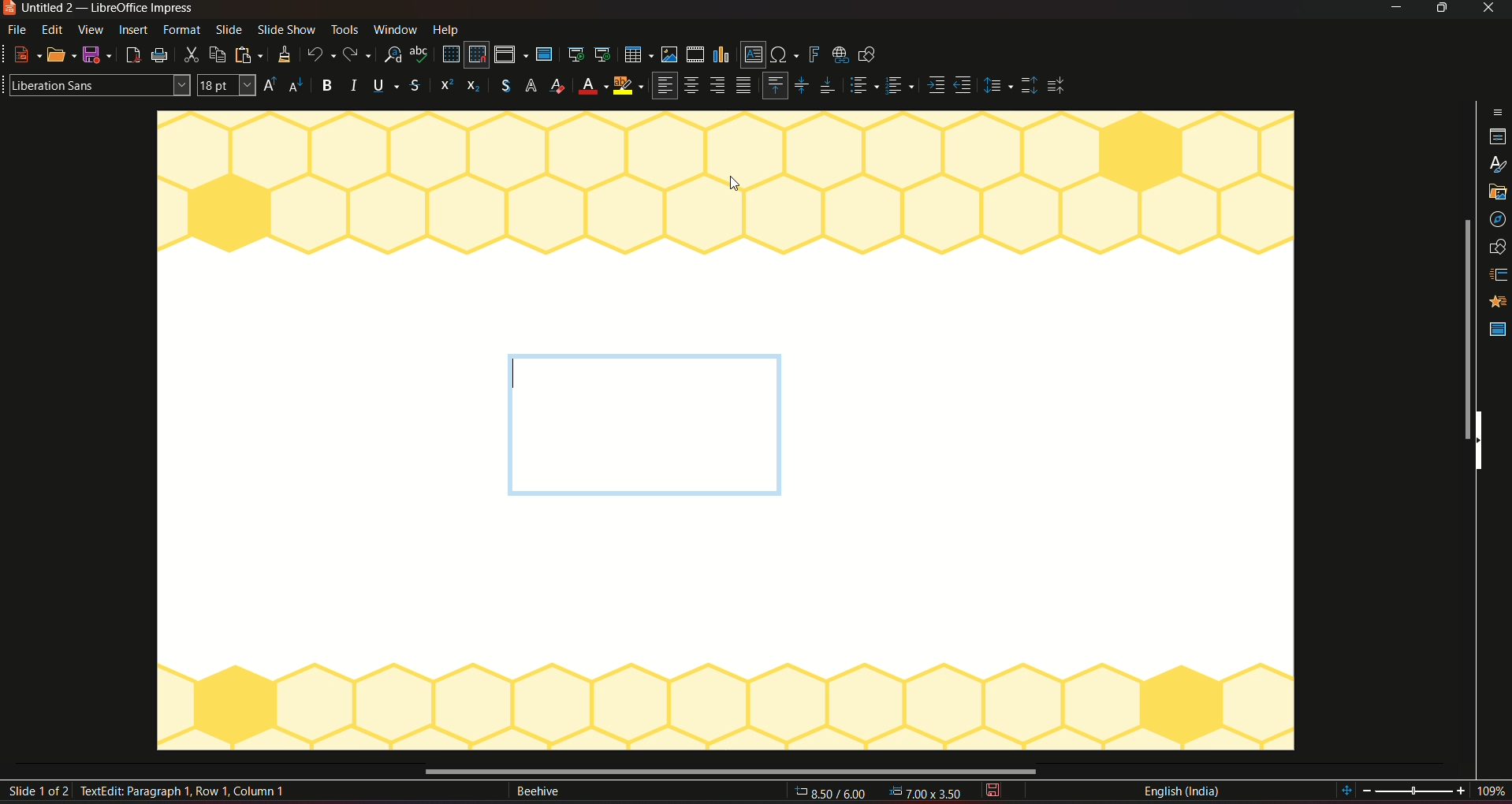 Image resolution: width=1512 pixels, height=804 pixels. What do you see at coordinates (360, 54) in the screenshot?
I see `redo` at bounding box center [360, 54].